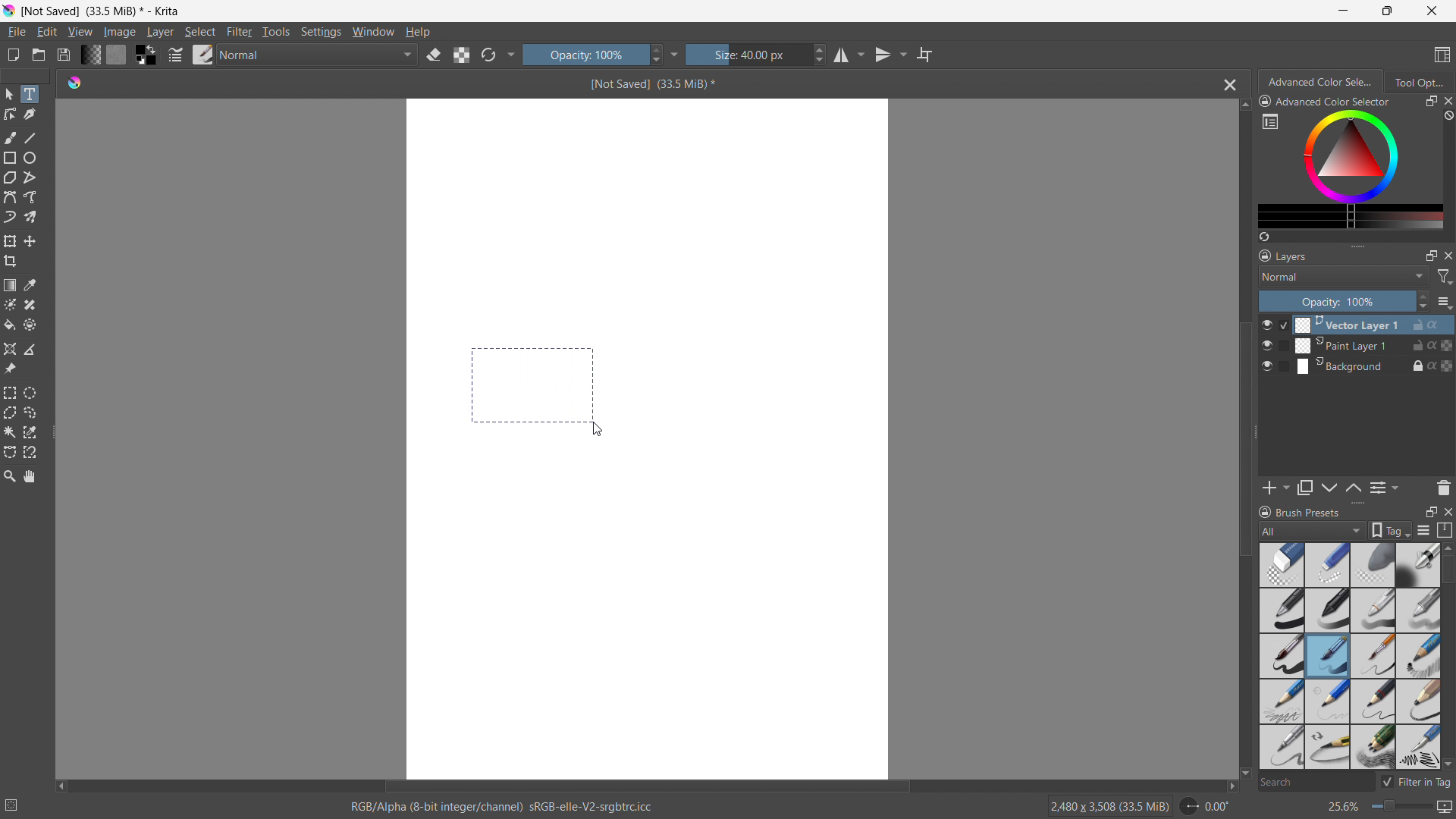  I want to click on bezier curve selection tool, so click(10, 453).